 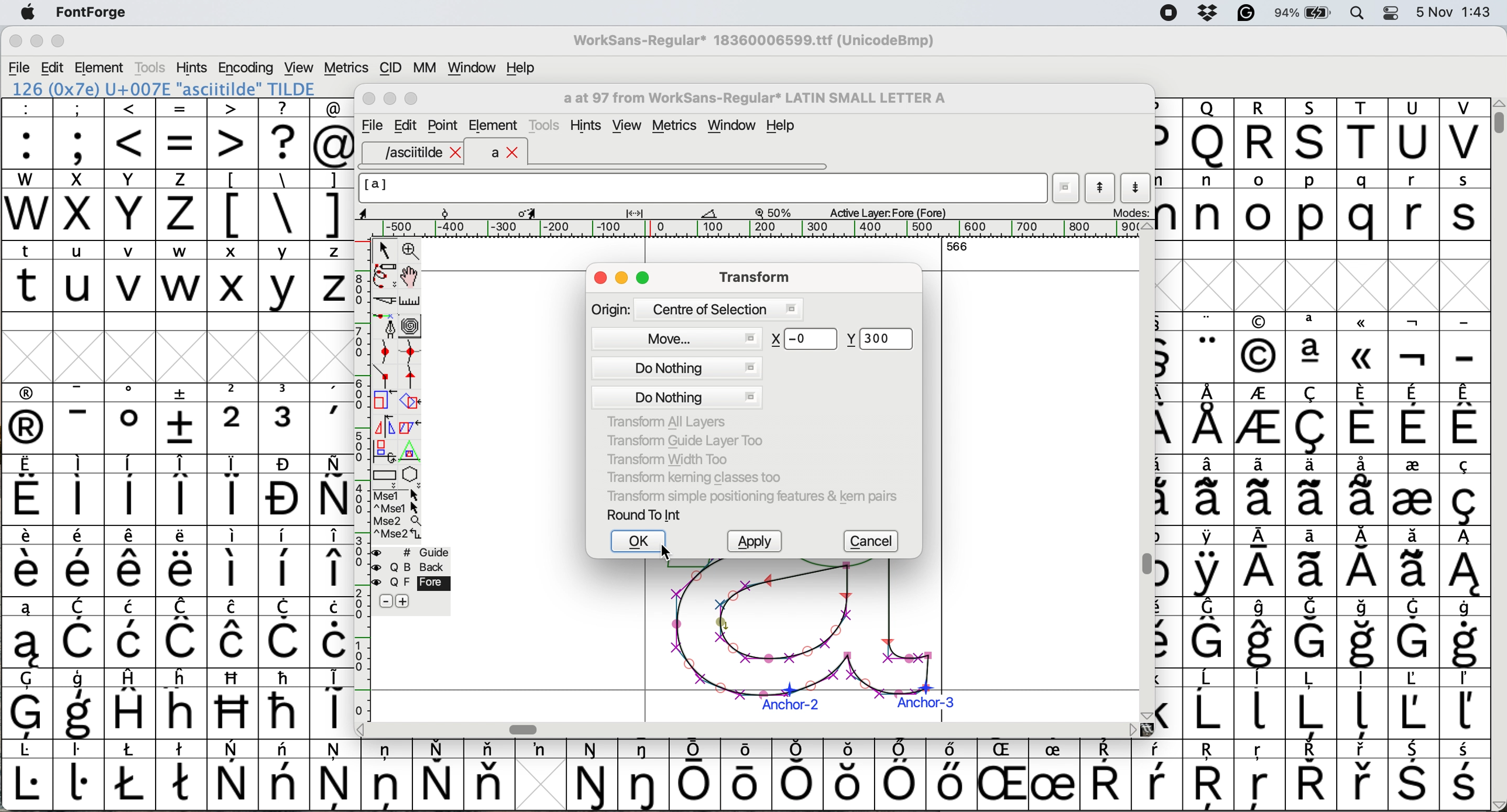 What do you see at coordinates (391, 99) in the screenshot?
I see `Minimise` at bounding box center [391, 99].